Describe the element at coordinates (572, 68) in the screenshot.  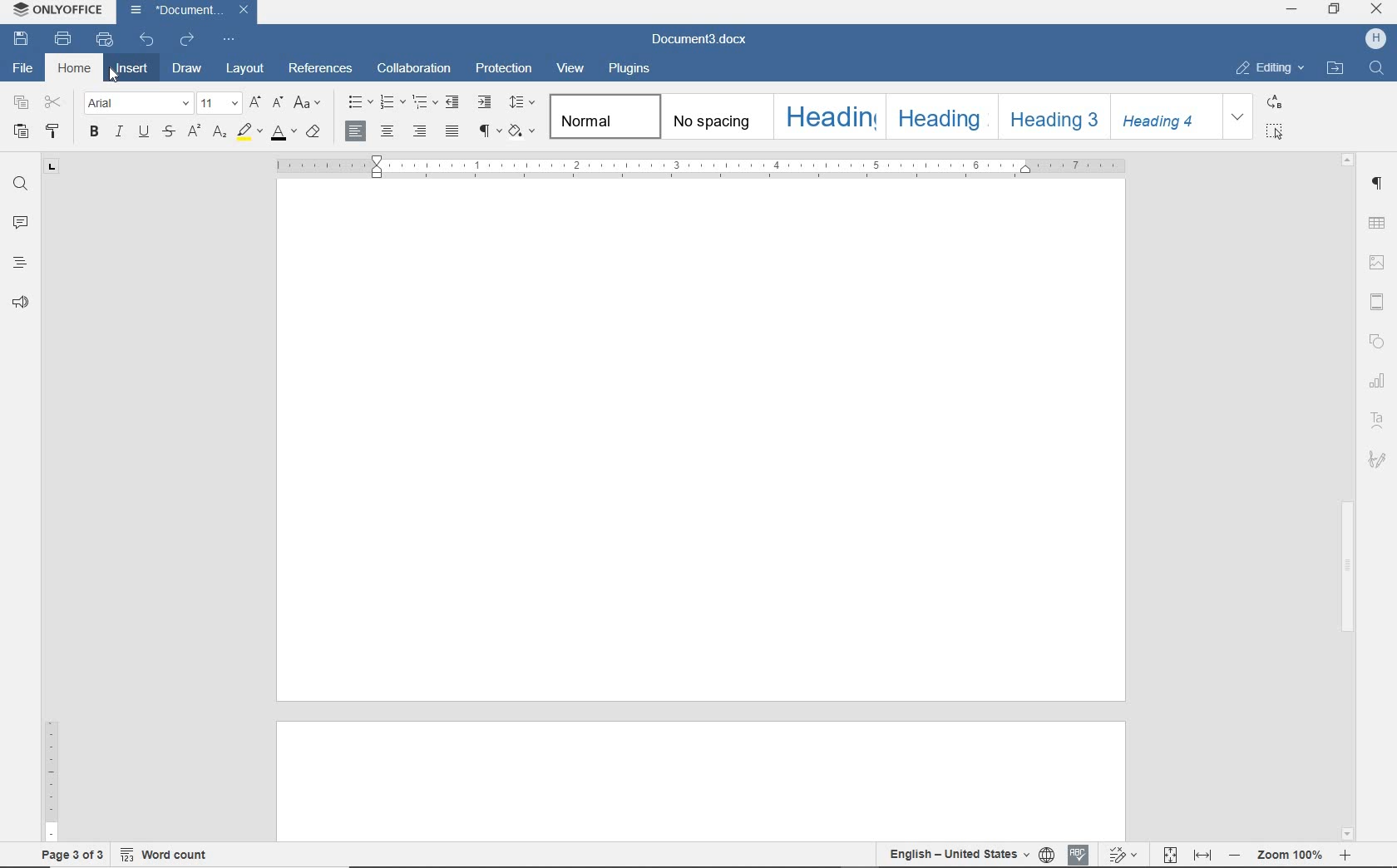
I see `VIEW` at that location.